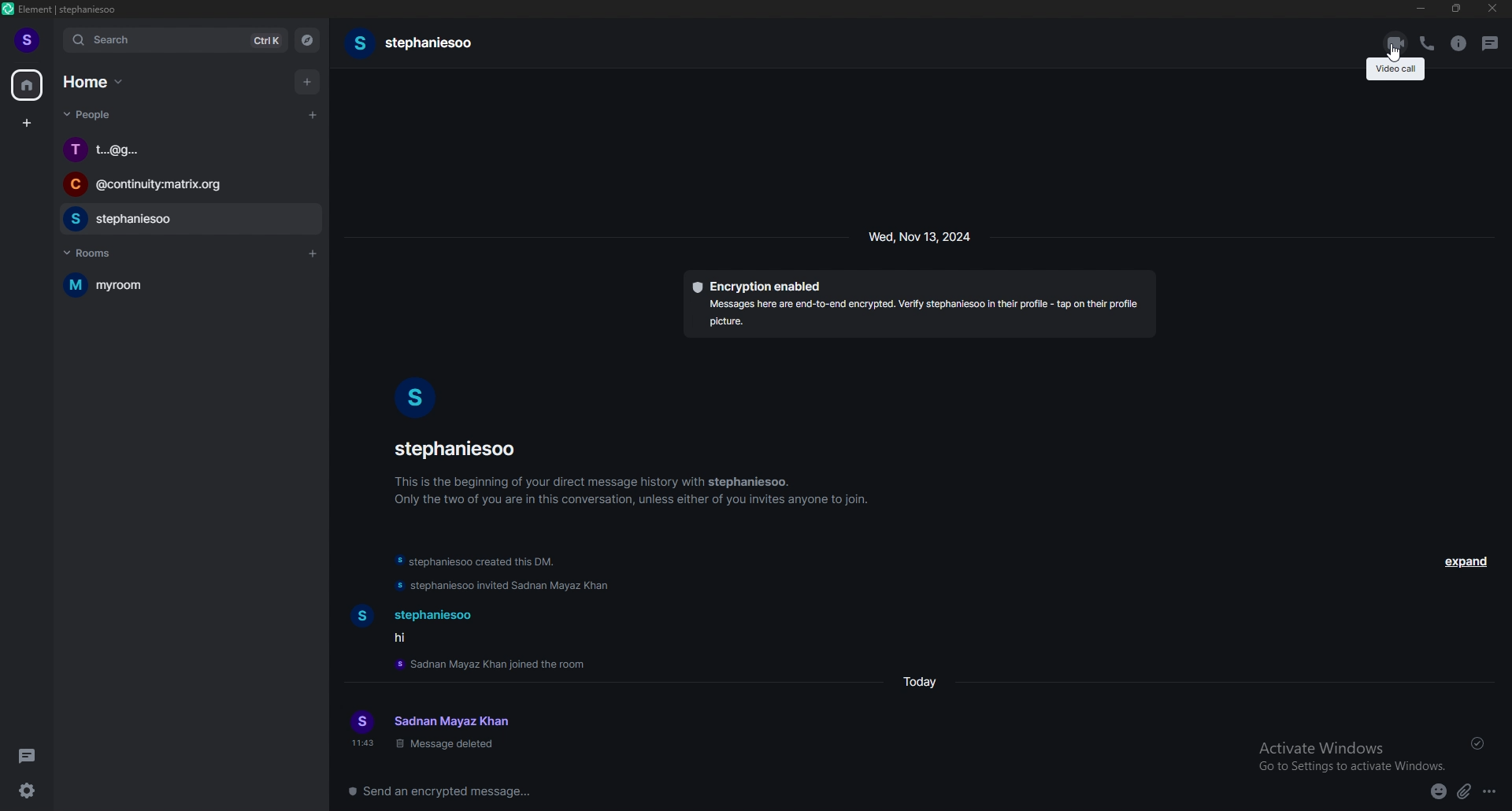 The width and height of the screenshot is (1512, 811). Describe the element at coordinates (1458, 9) in the screenshot. I see `resize` at that location.